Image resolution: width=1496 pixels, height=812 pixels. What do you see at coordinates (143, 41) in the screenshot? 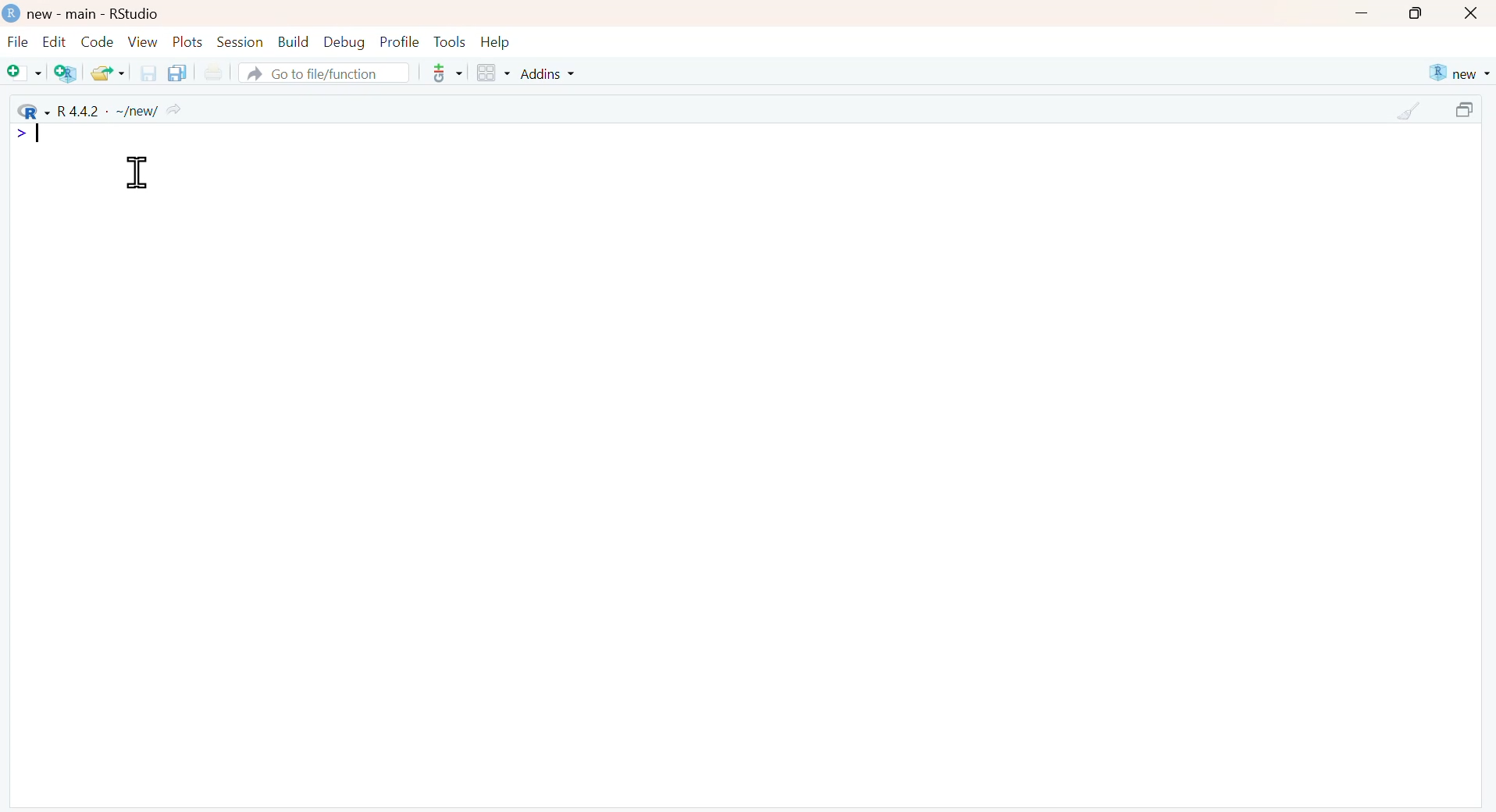
I see `View` at bounding box center [143, 41].